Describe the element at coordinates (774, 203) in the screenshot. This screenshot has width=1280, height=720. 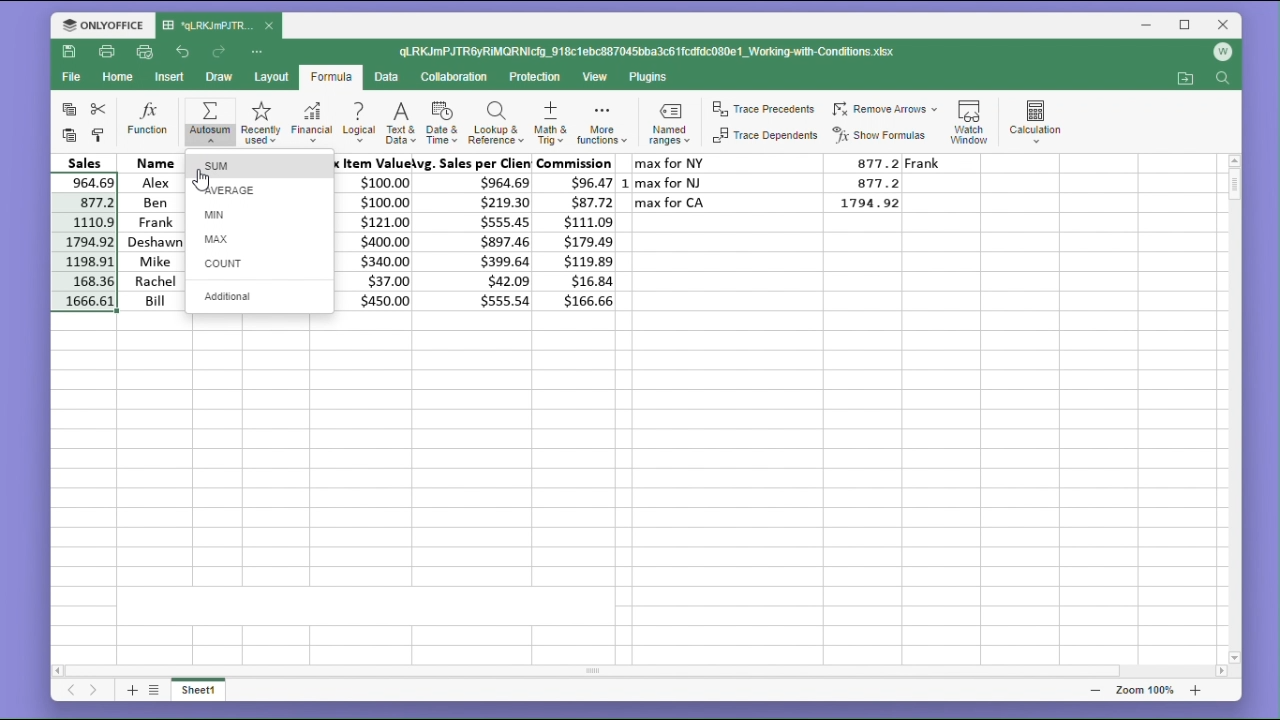
I see `max for CA 1794.92` at that location.